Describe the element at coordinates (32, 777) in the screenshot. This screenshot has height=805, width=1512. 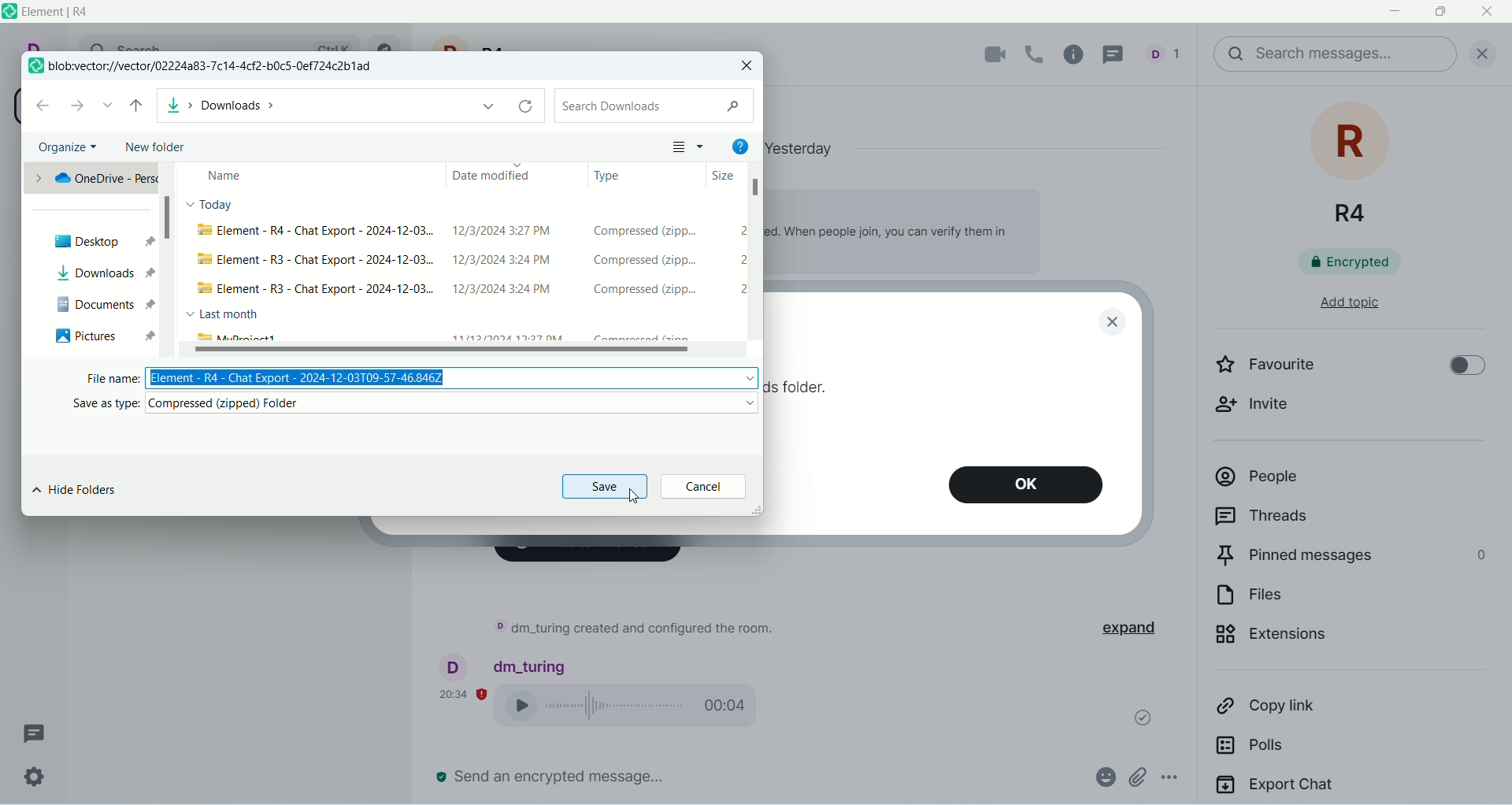
I see `settings` at that location.